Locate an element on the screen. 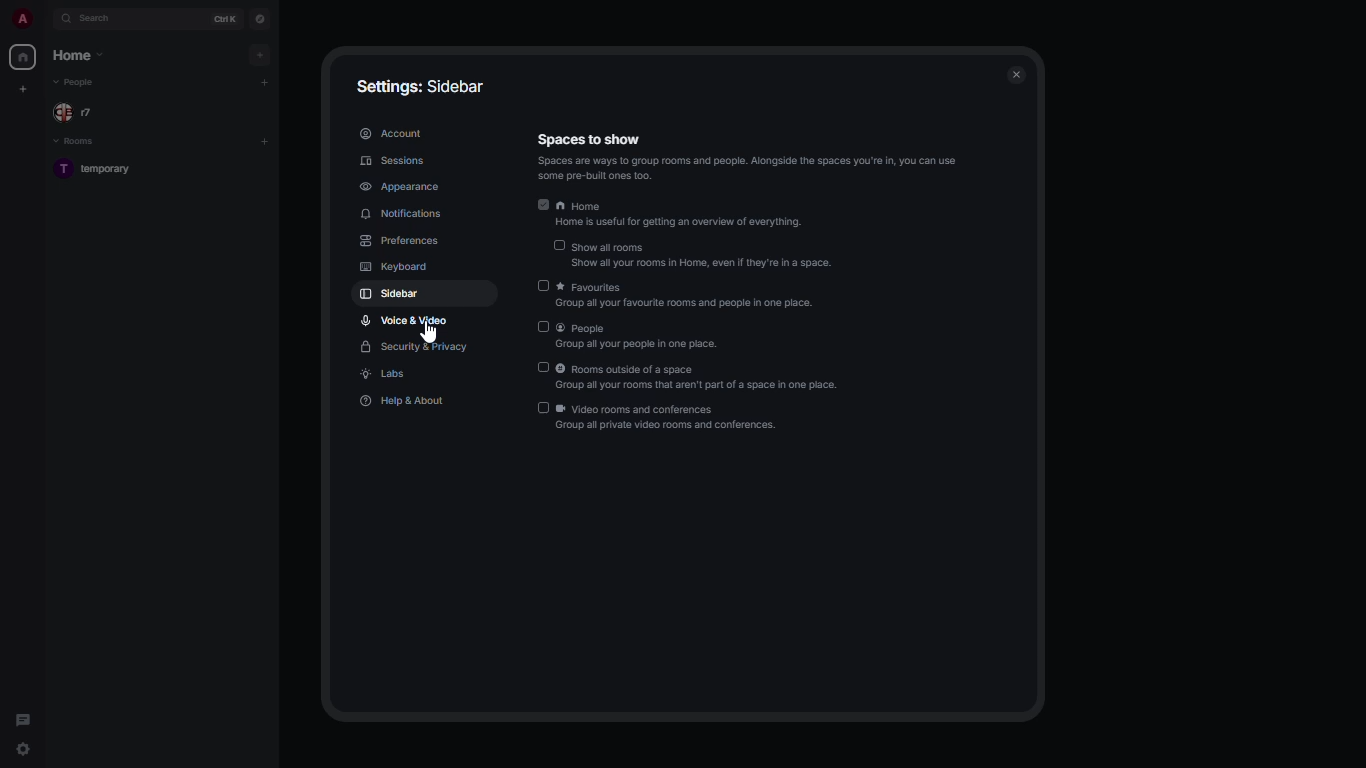 This screenshot has width=1366, height=768. appearance is located at coordinates (398, 184).